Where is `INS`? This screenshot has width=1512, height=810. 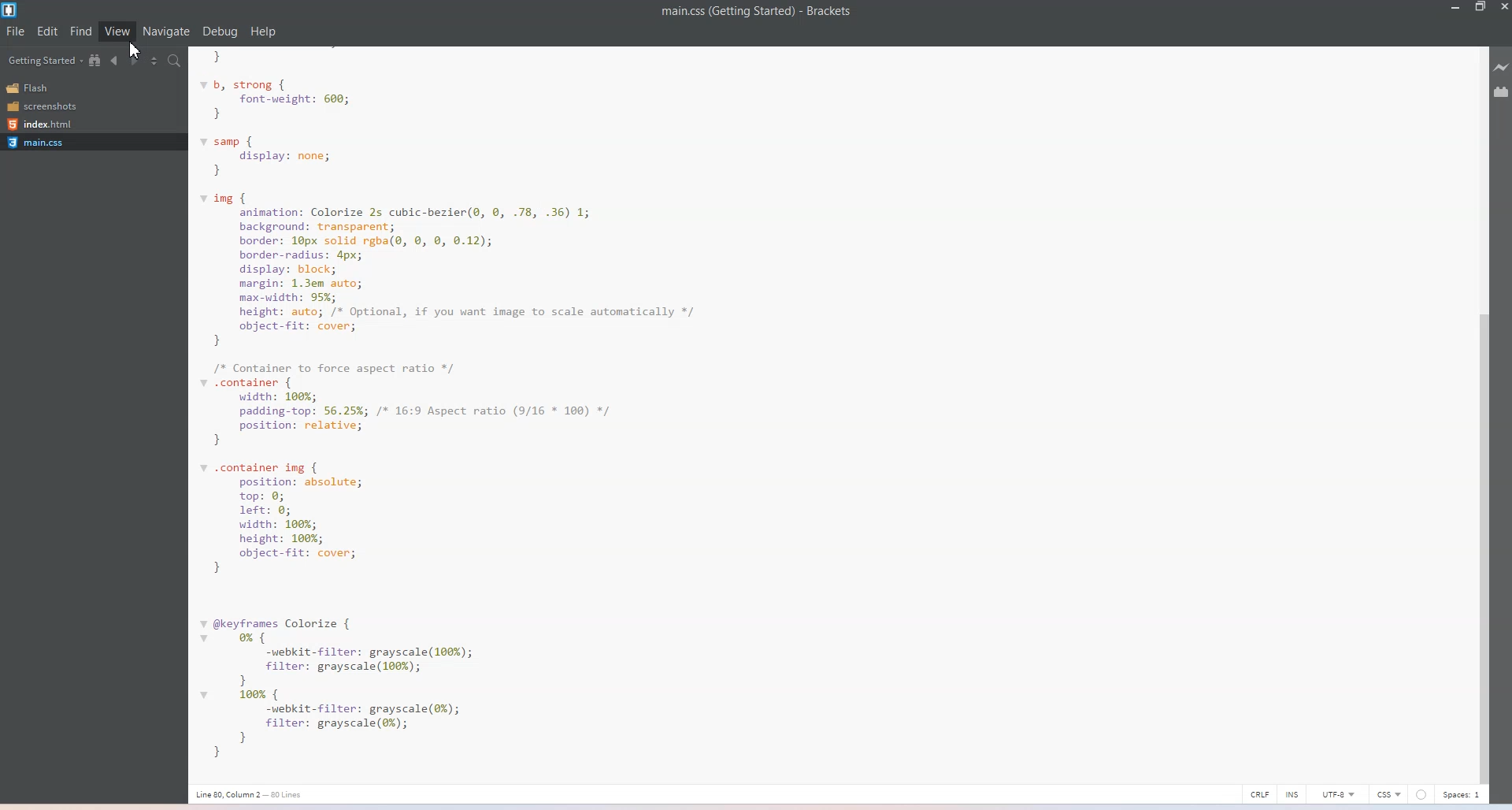
INS is located at coordinates (1294, 793).